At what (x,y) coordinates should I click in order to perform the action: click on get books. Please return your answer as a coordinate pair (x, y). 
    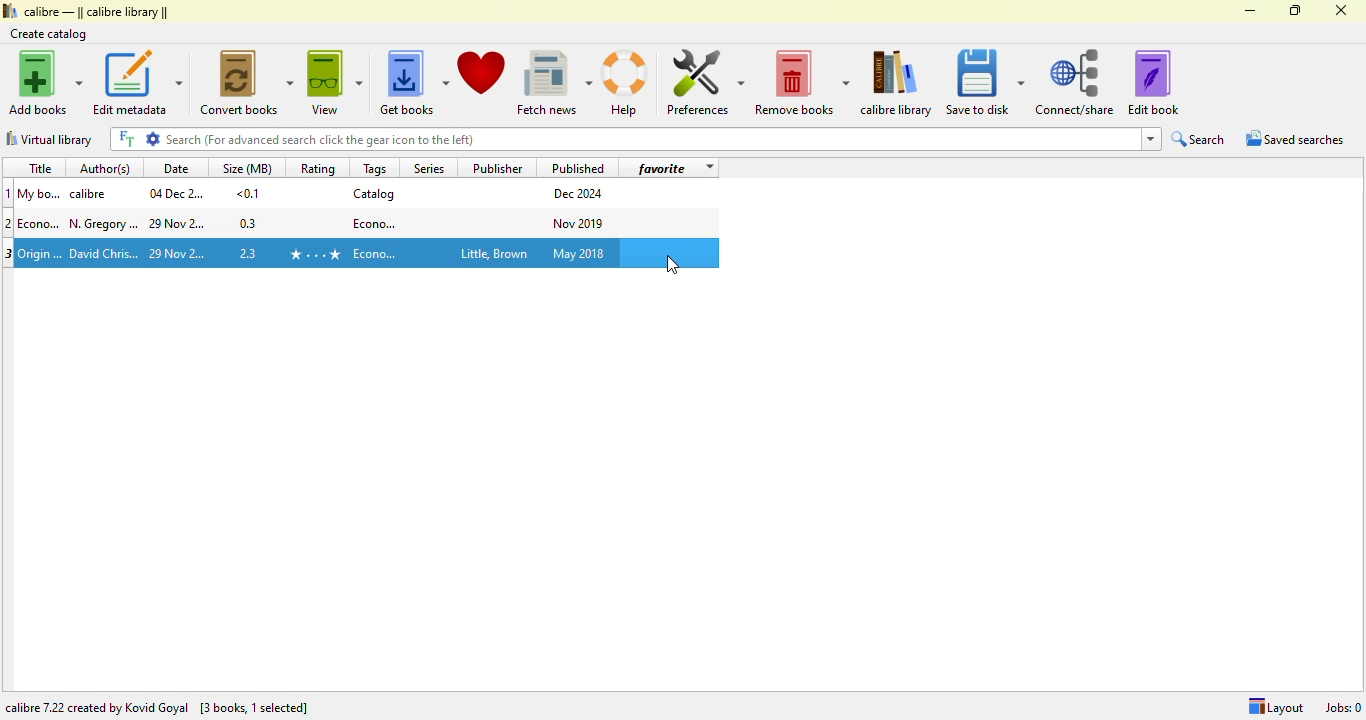
    Looking at the image, I should click on (413, 83).